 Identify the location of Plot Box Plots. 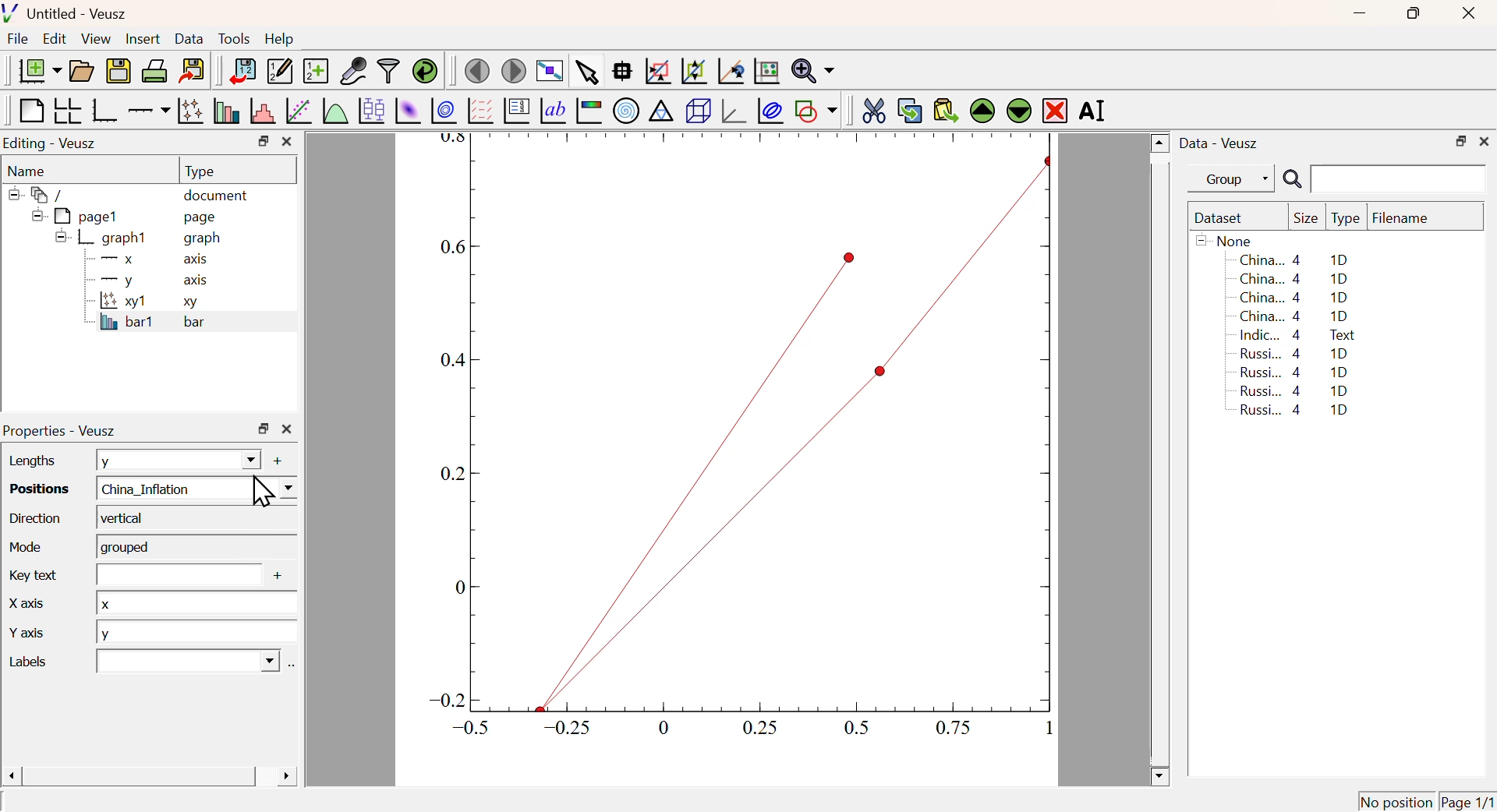
(370, 110).